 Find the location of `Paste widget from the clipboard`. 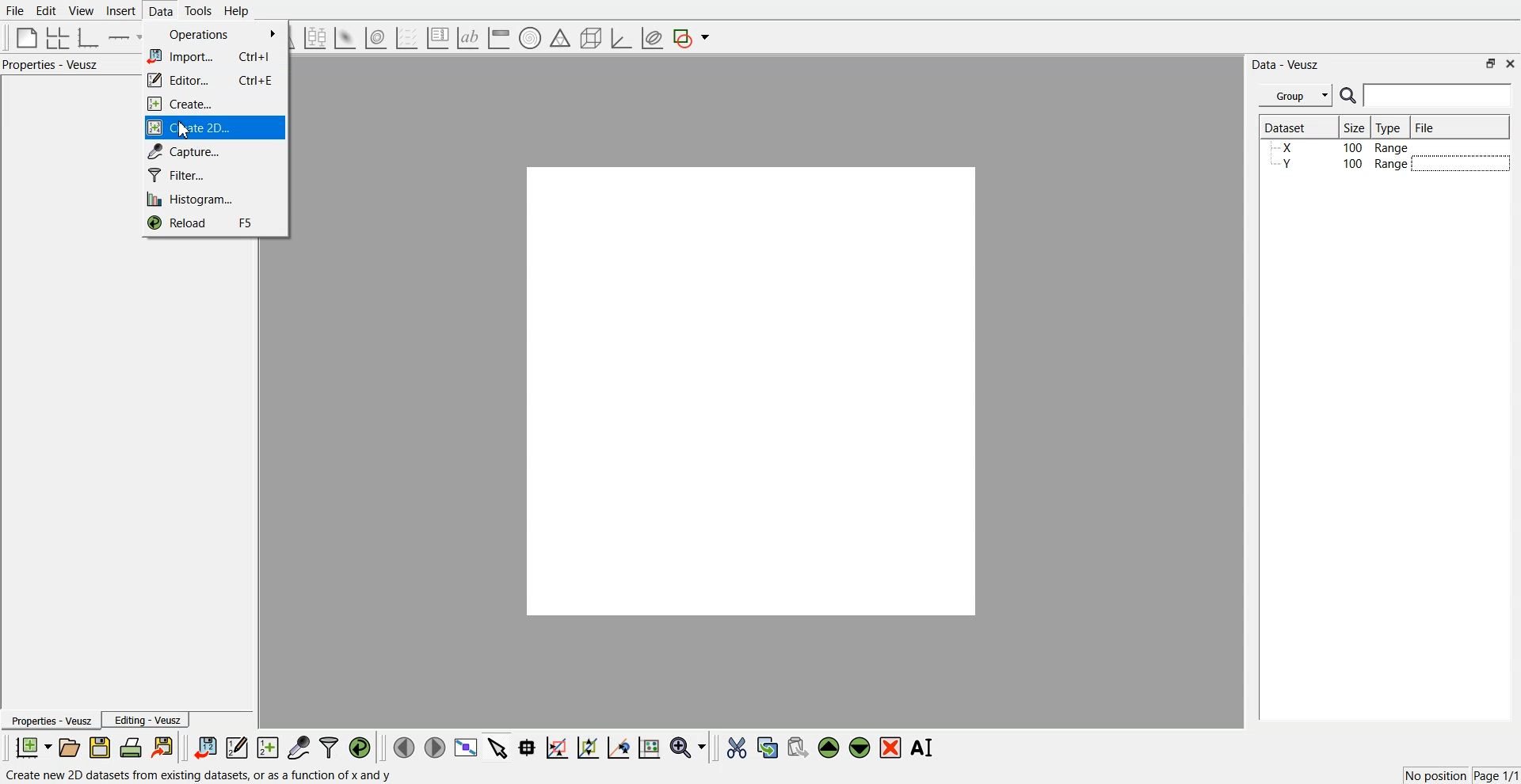

Paste widget from the clipboard is located at coordinates (798, 746).